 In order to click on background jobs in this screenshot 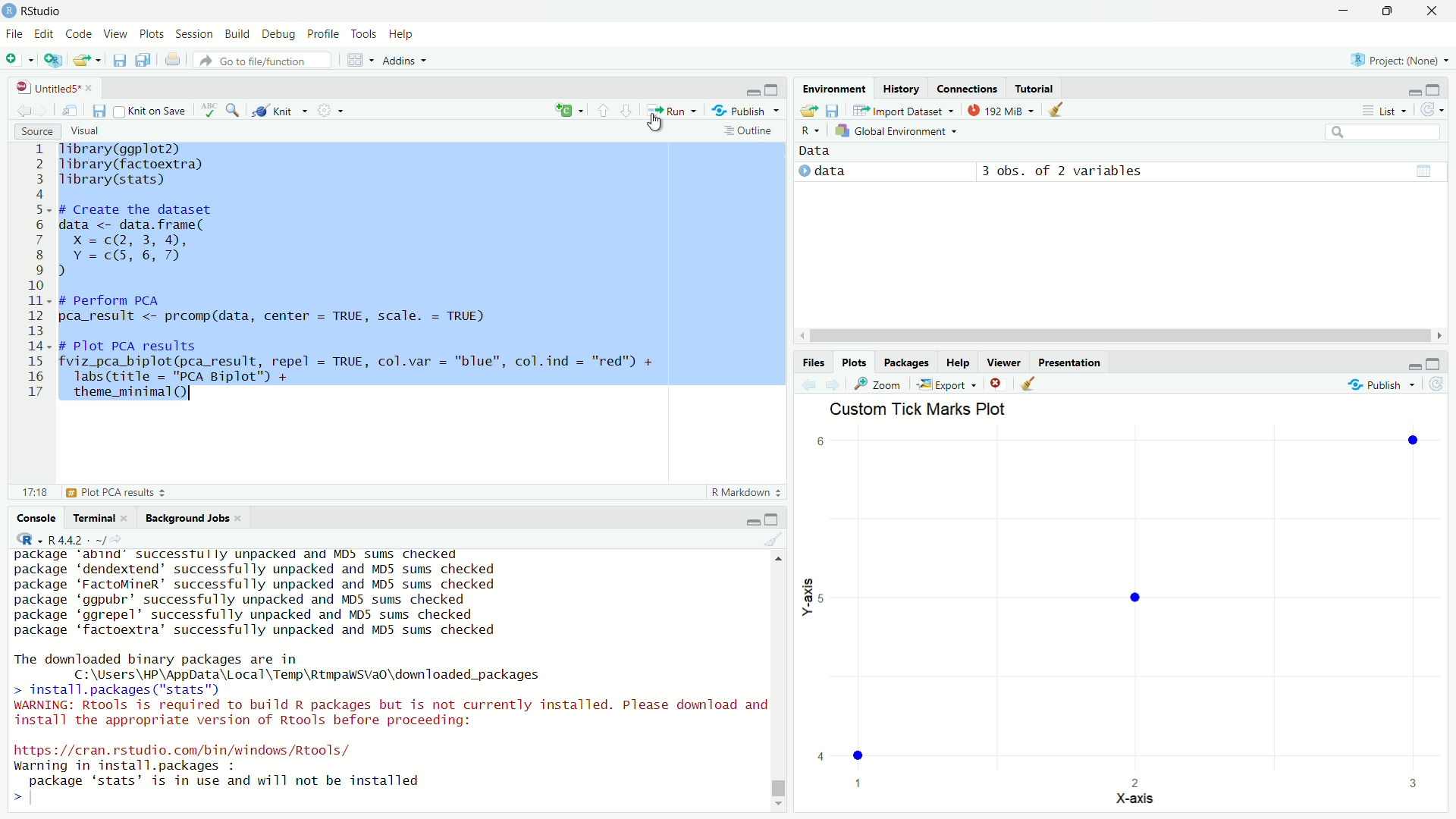, I will do `click(193, 518)`.